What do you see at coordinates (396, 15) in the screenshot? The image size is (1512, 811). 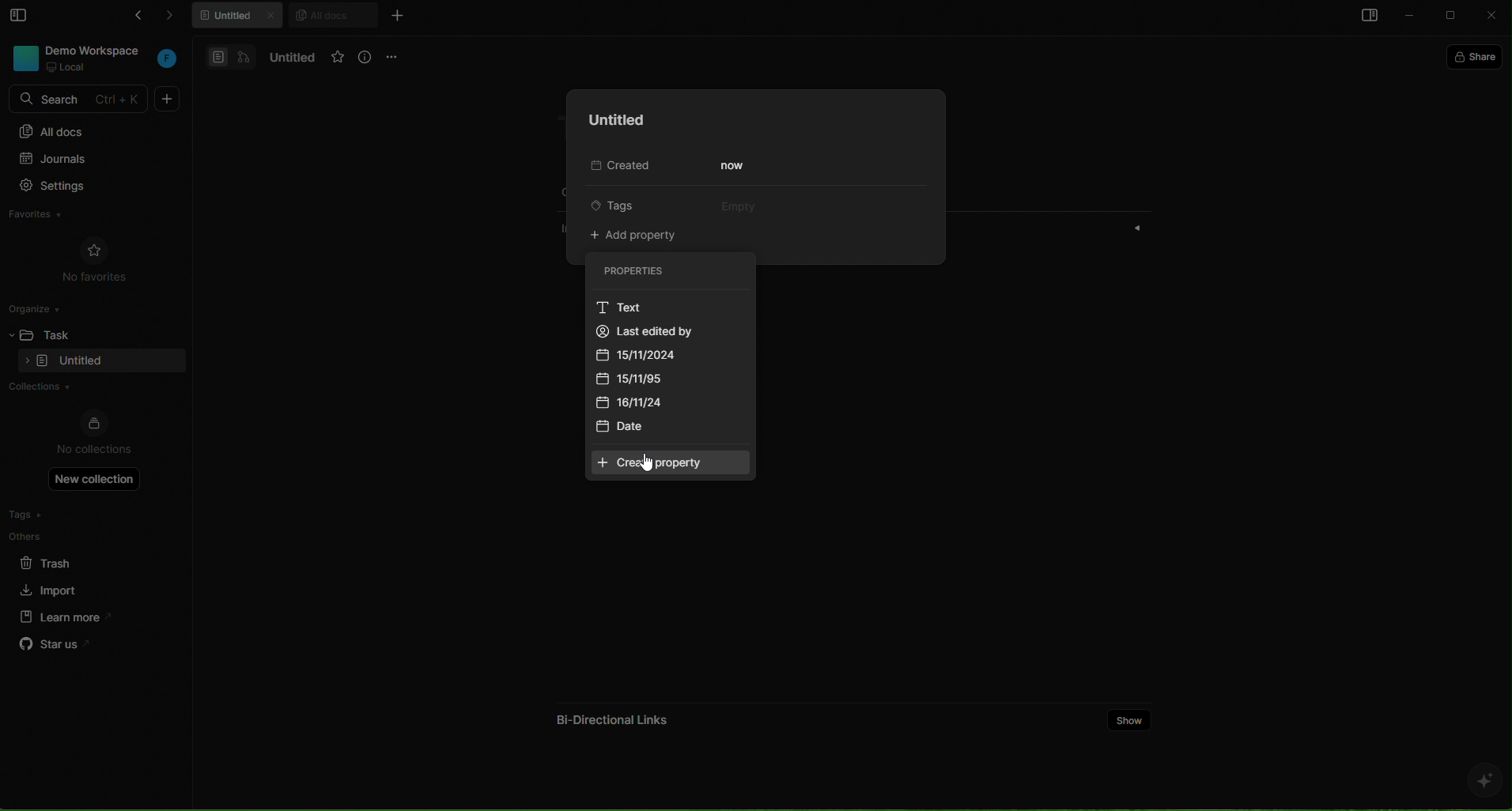 I see `new tab` at bounding box center [396, 15].